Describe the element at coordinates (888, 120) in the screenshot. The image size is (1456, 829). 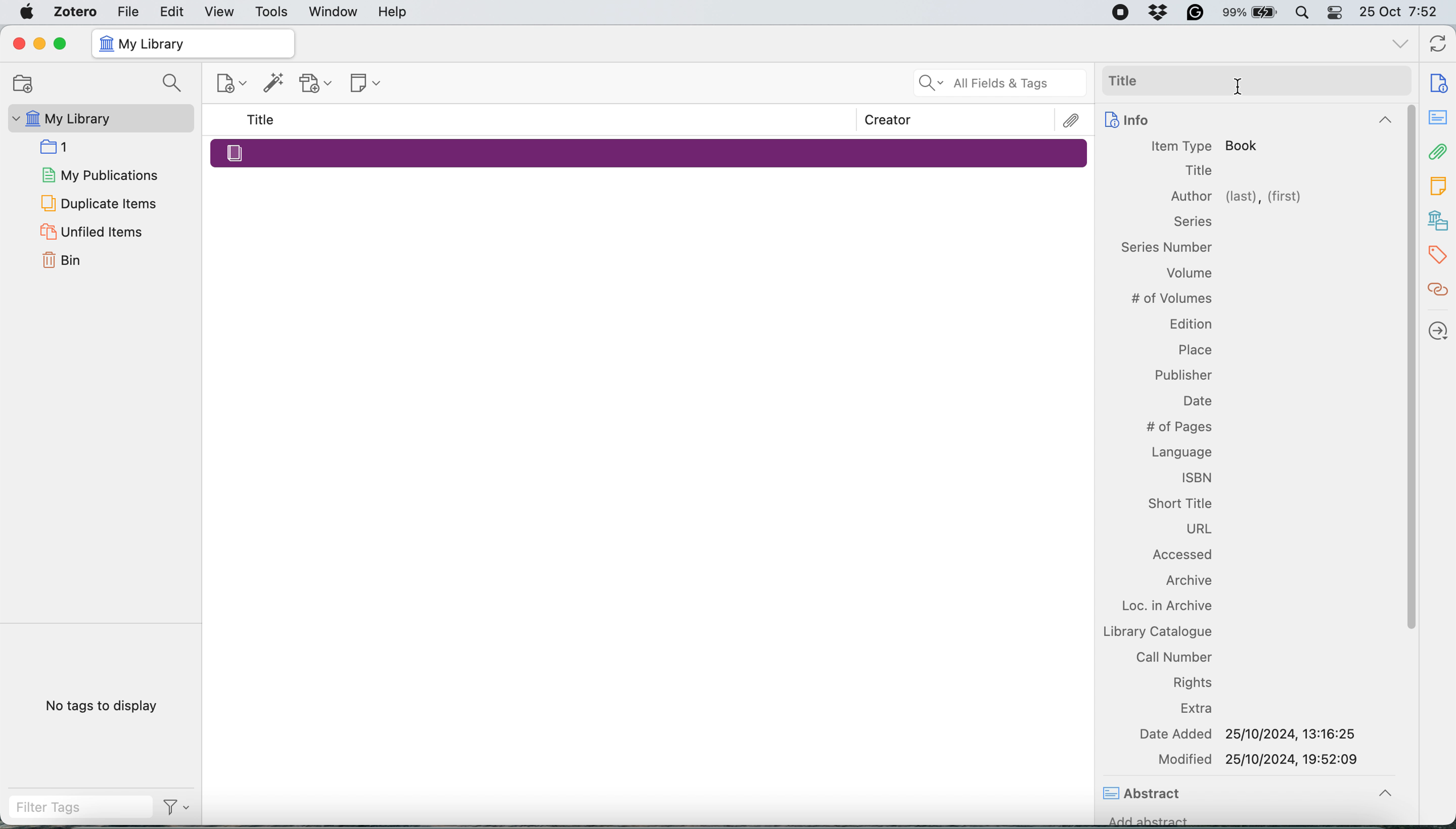
I see `Creator` at that location.